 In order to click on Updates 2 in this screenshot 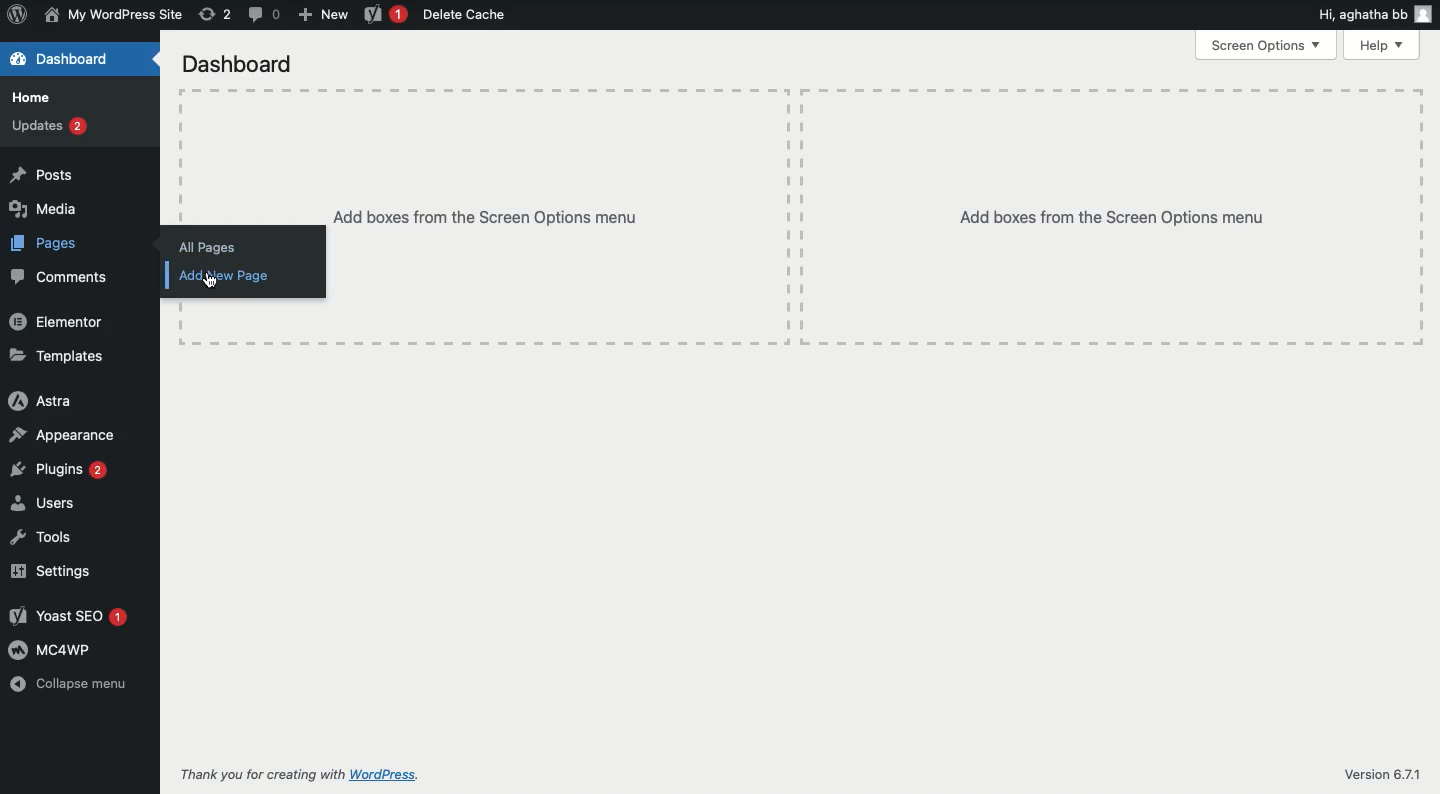, I will do `click(47, 126)`.